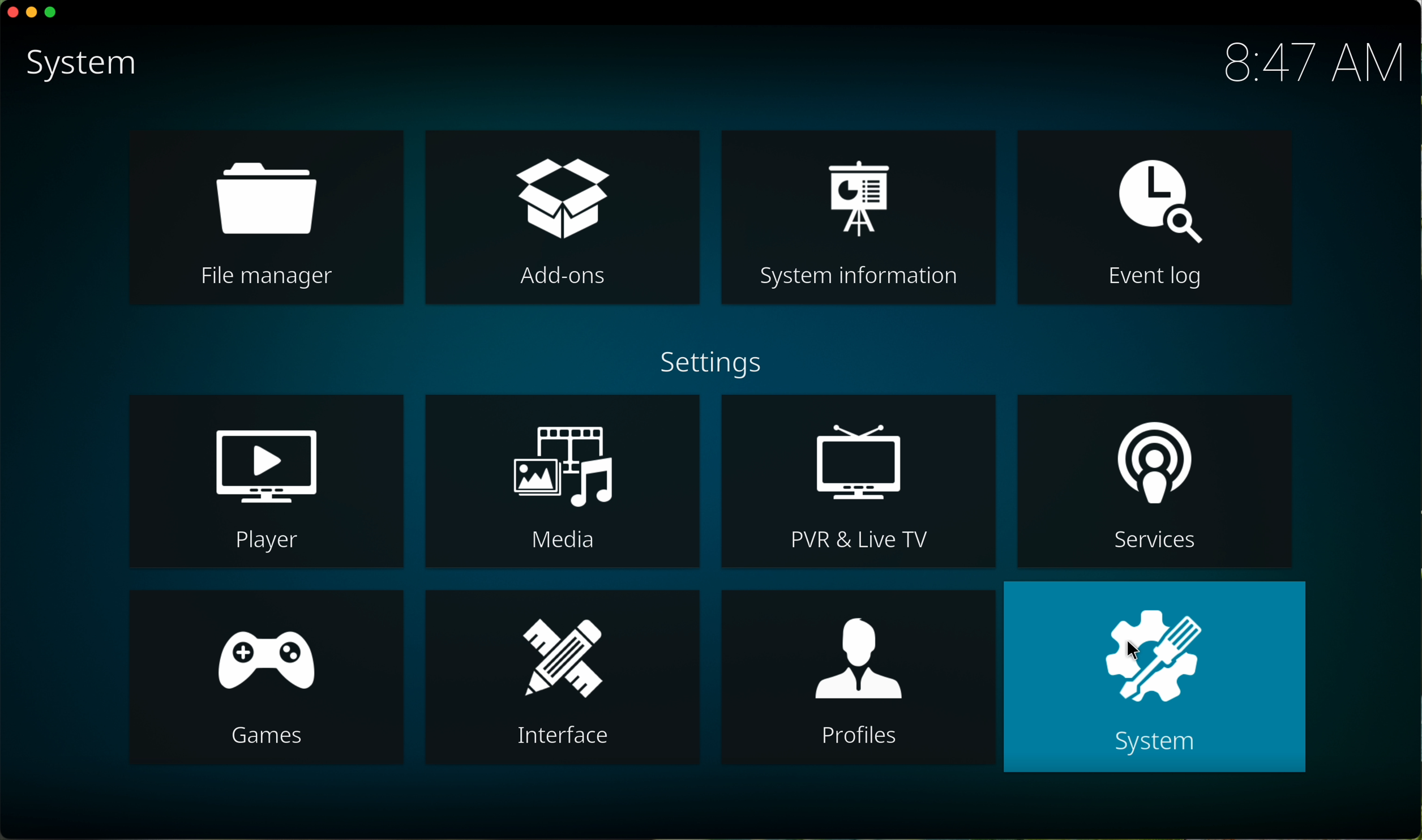  I want to click on hour, so click(1312, 63).